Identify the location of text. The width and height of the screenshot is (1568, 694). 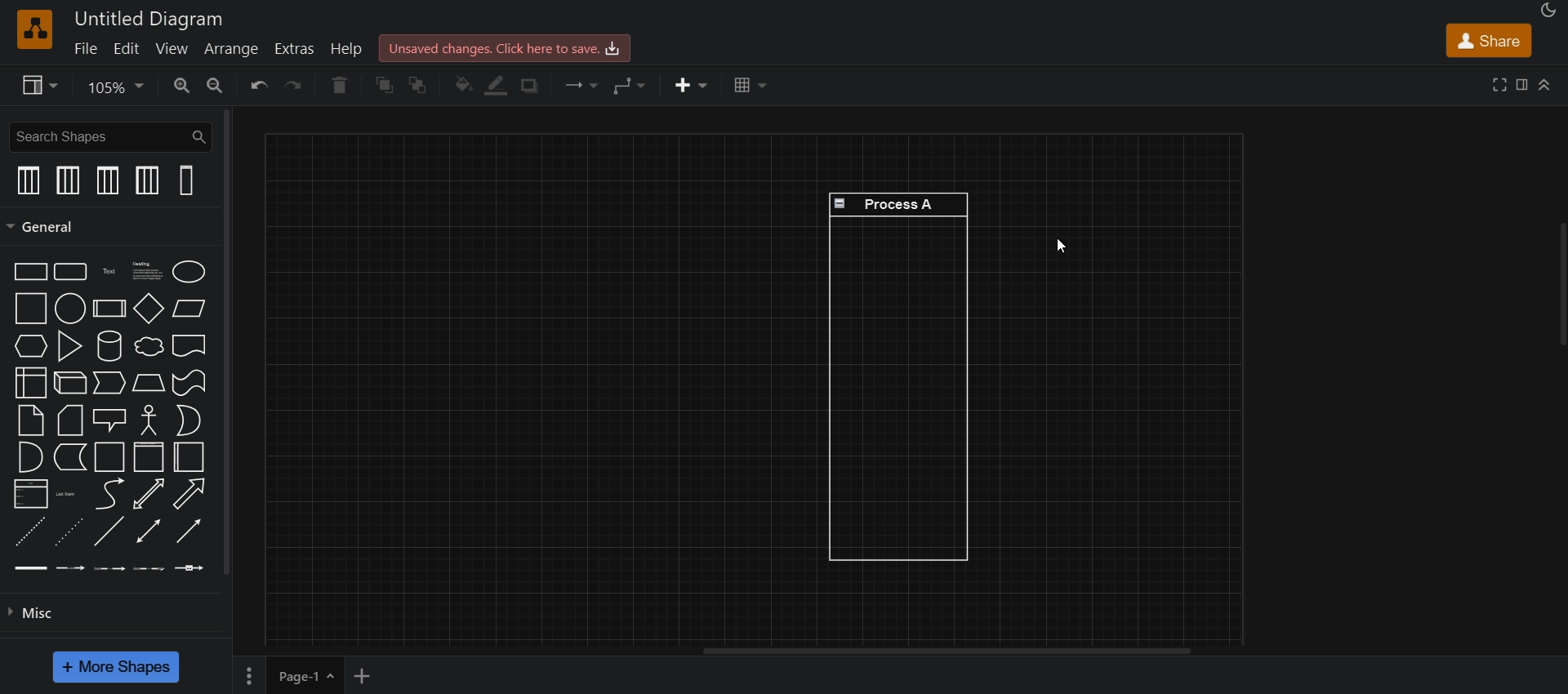
(109, 269).